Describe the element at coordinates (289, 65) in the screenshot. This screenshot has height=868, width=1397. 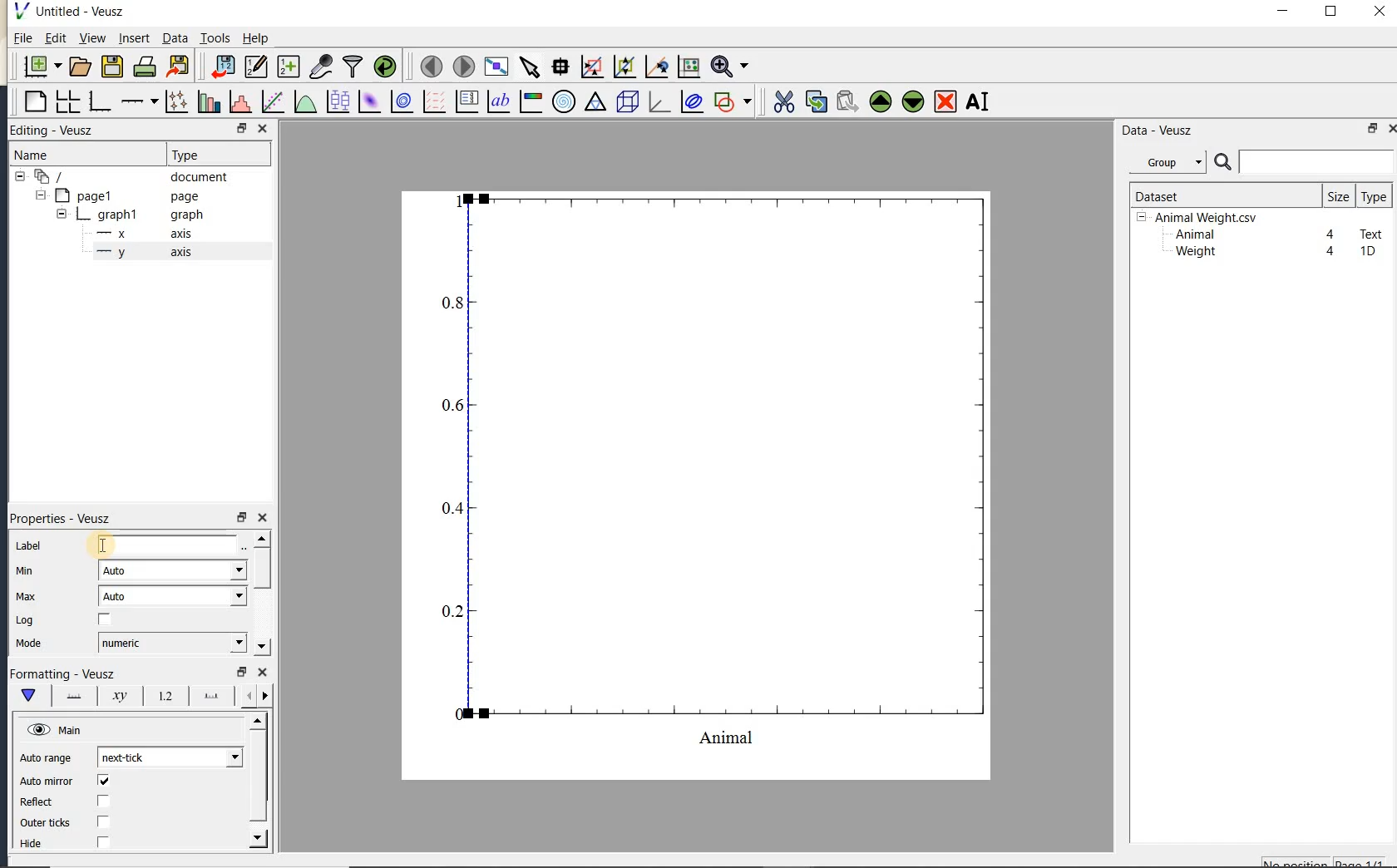
I see `create new datasets` at that location.